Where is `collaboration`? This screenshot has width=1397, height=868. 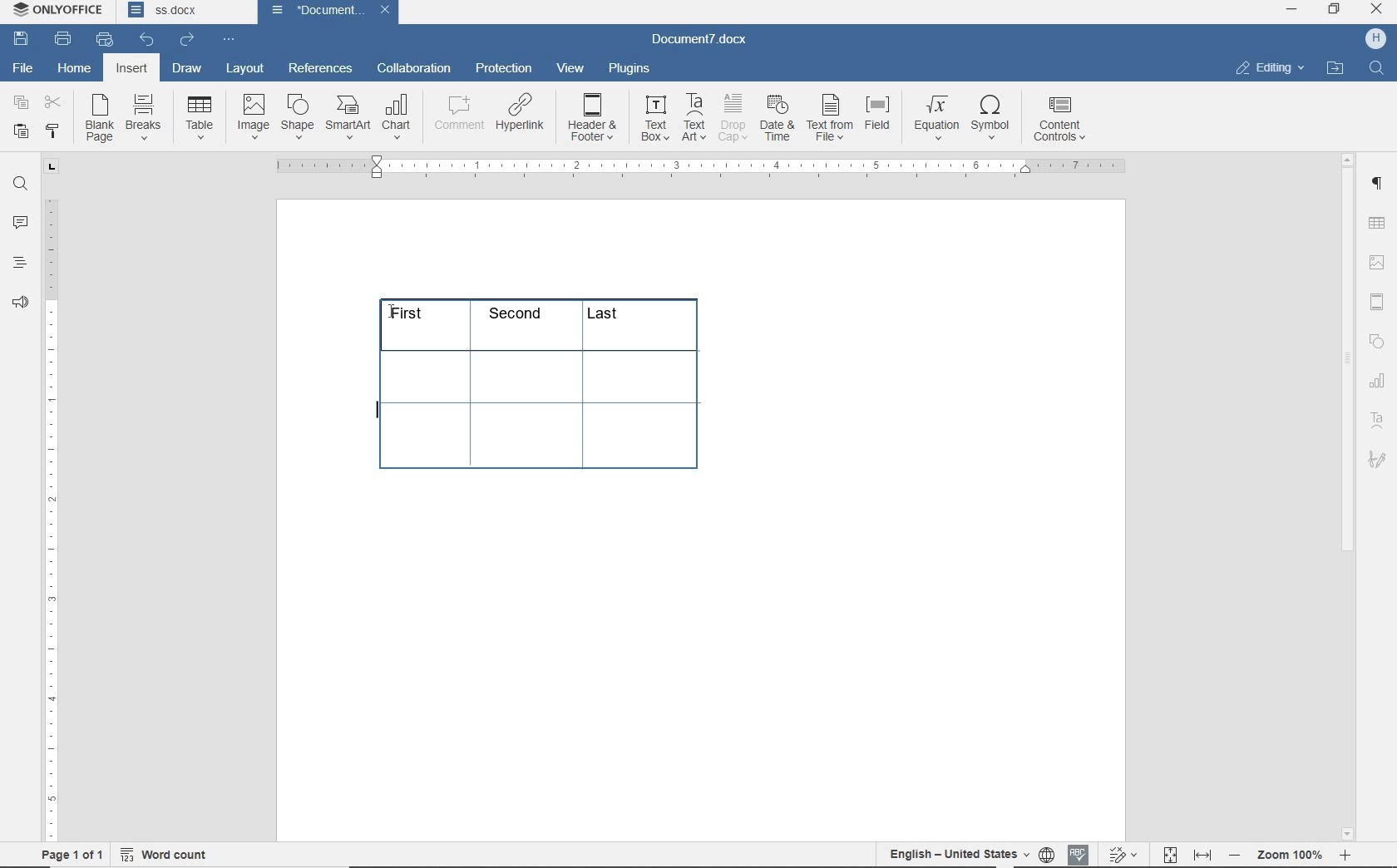 collaboration is located at coordinates (416, 69).